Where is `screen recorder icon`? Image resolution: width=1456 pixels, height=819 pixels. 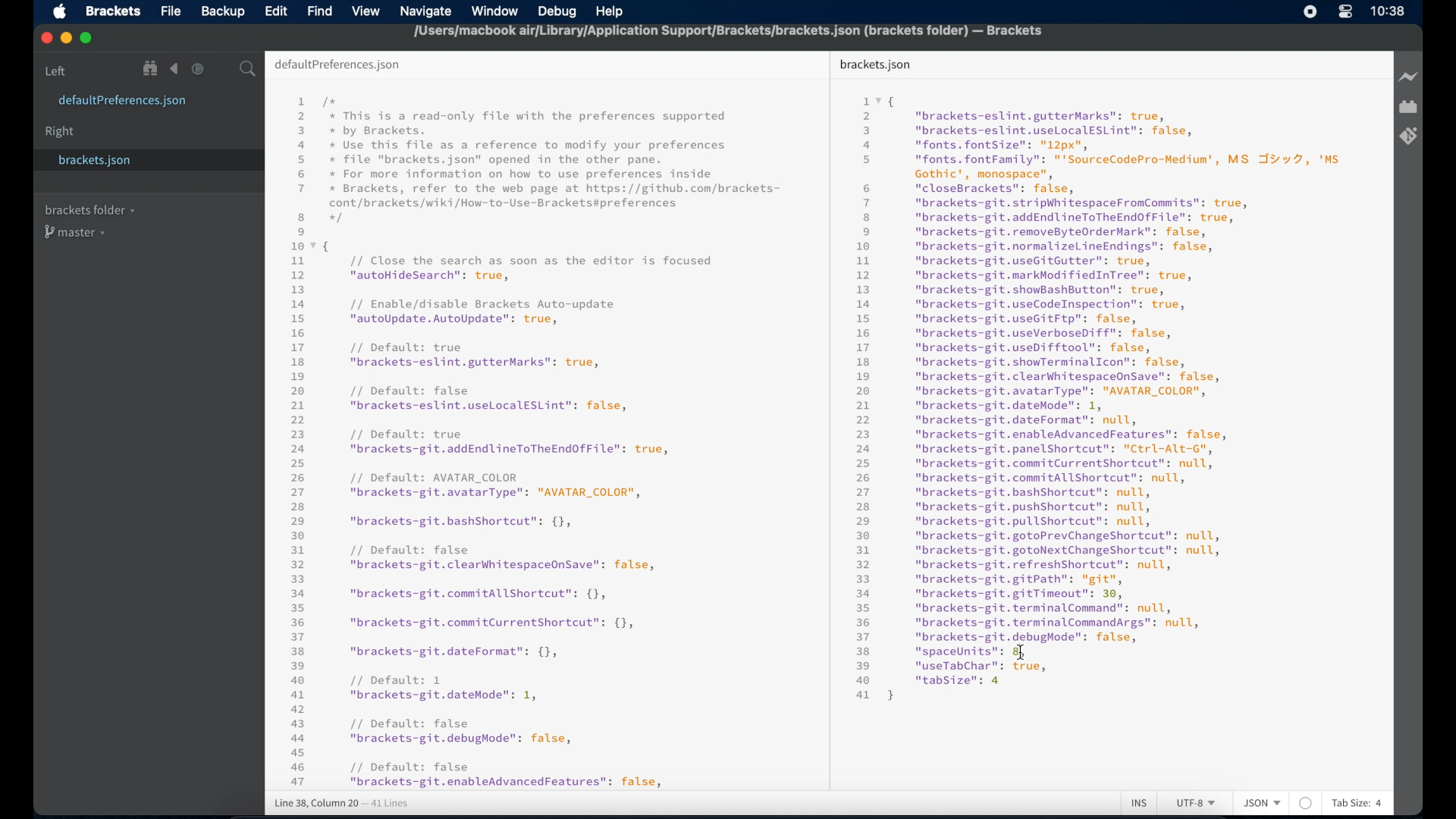 screen recorder icon is located at coordinates (1310, 11).